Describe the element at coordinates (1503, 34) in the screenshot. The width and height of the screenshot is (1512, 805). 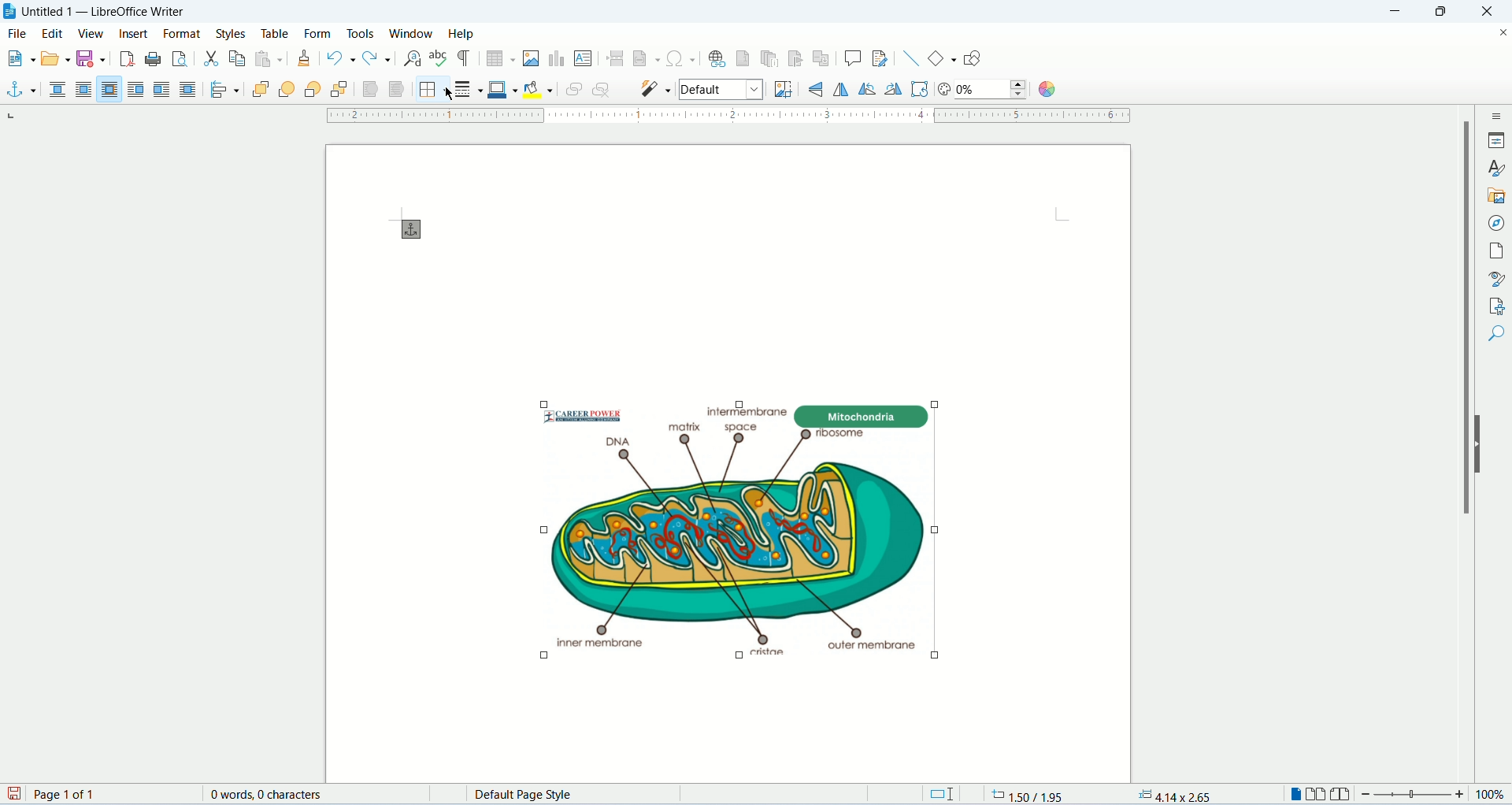
I see `close document` at that location.